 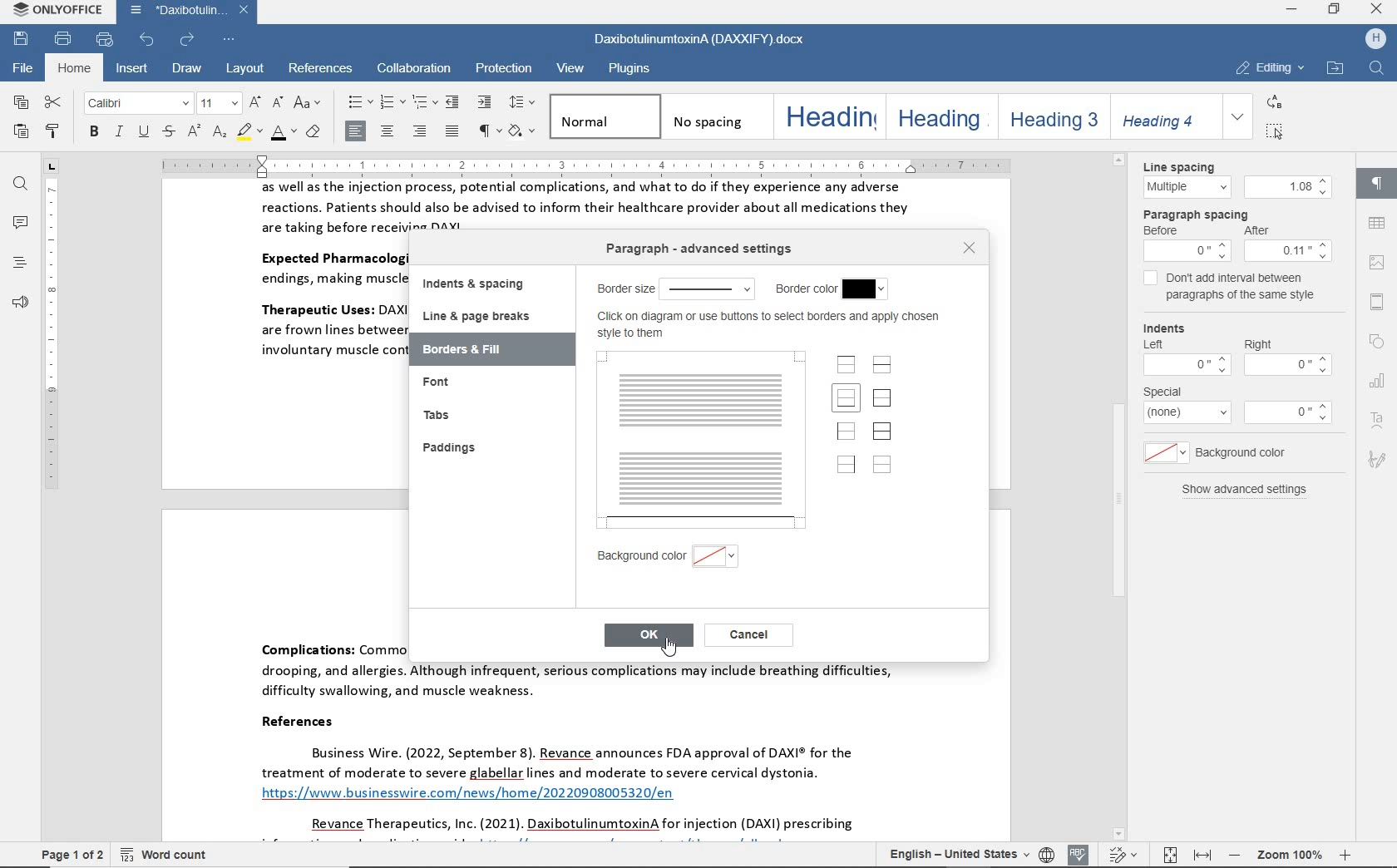 I want to click on heading 2, so click(x=938, y=116).